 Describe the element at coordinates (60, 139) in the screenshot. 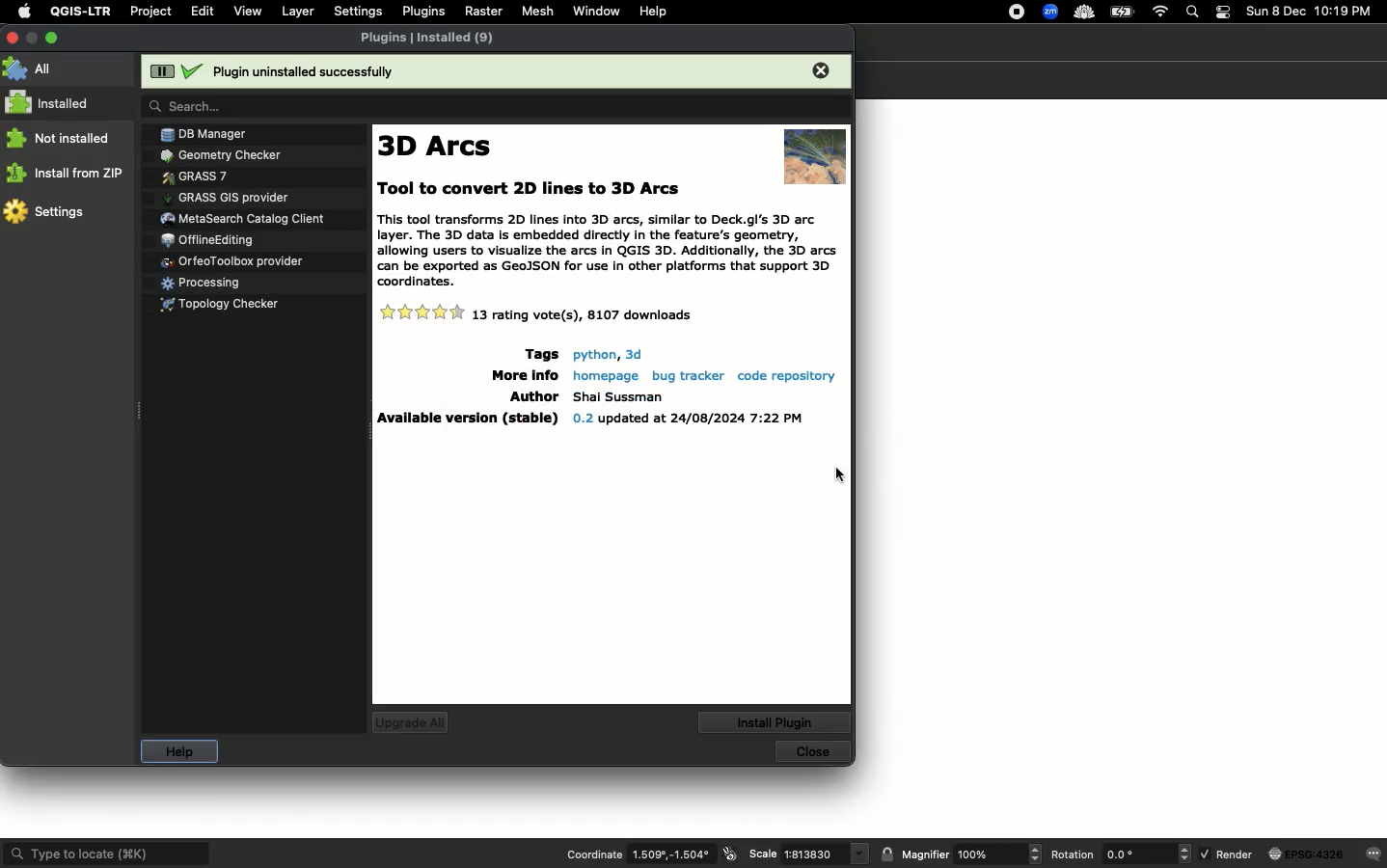

I see `Not installed` at that location.